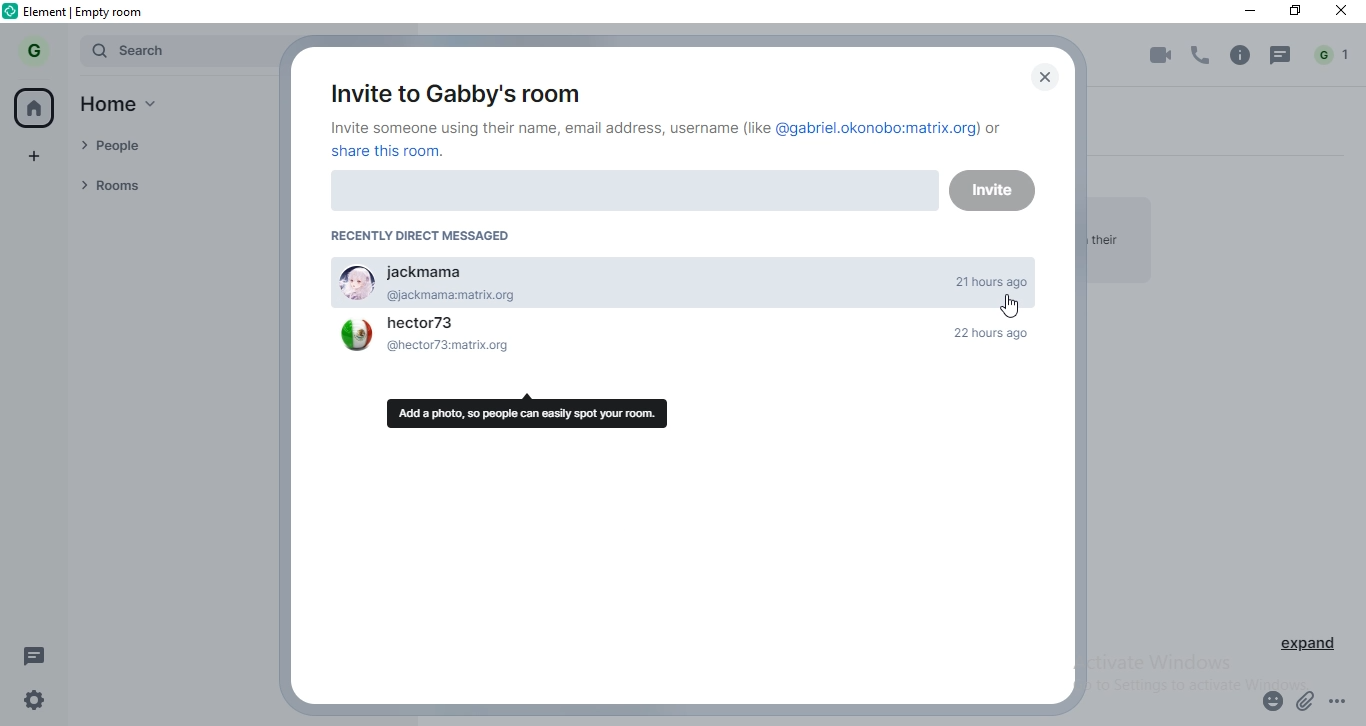 The height and width of the screenshot is (726, 1366). What do you see at coordinates (37, 107) in the screenshot?
I see `home` at bounding box center [37, 107].